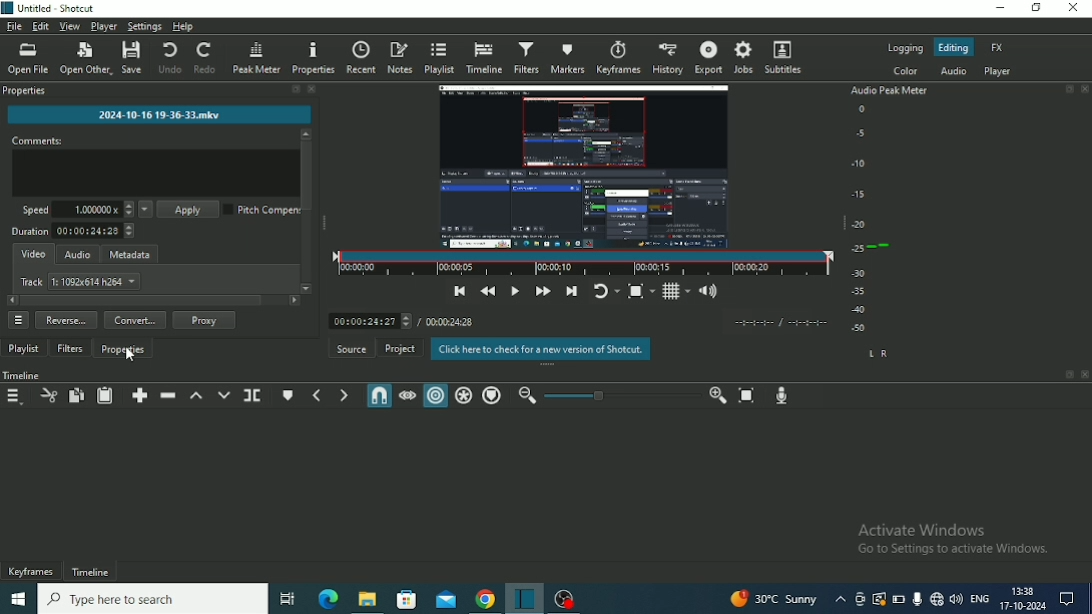 Image resolution: width=1092 pixels, height=614 pixels. Describe the element at coordinates (435, 396) in the screenshot. I see `Ripple` at that location.